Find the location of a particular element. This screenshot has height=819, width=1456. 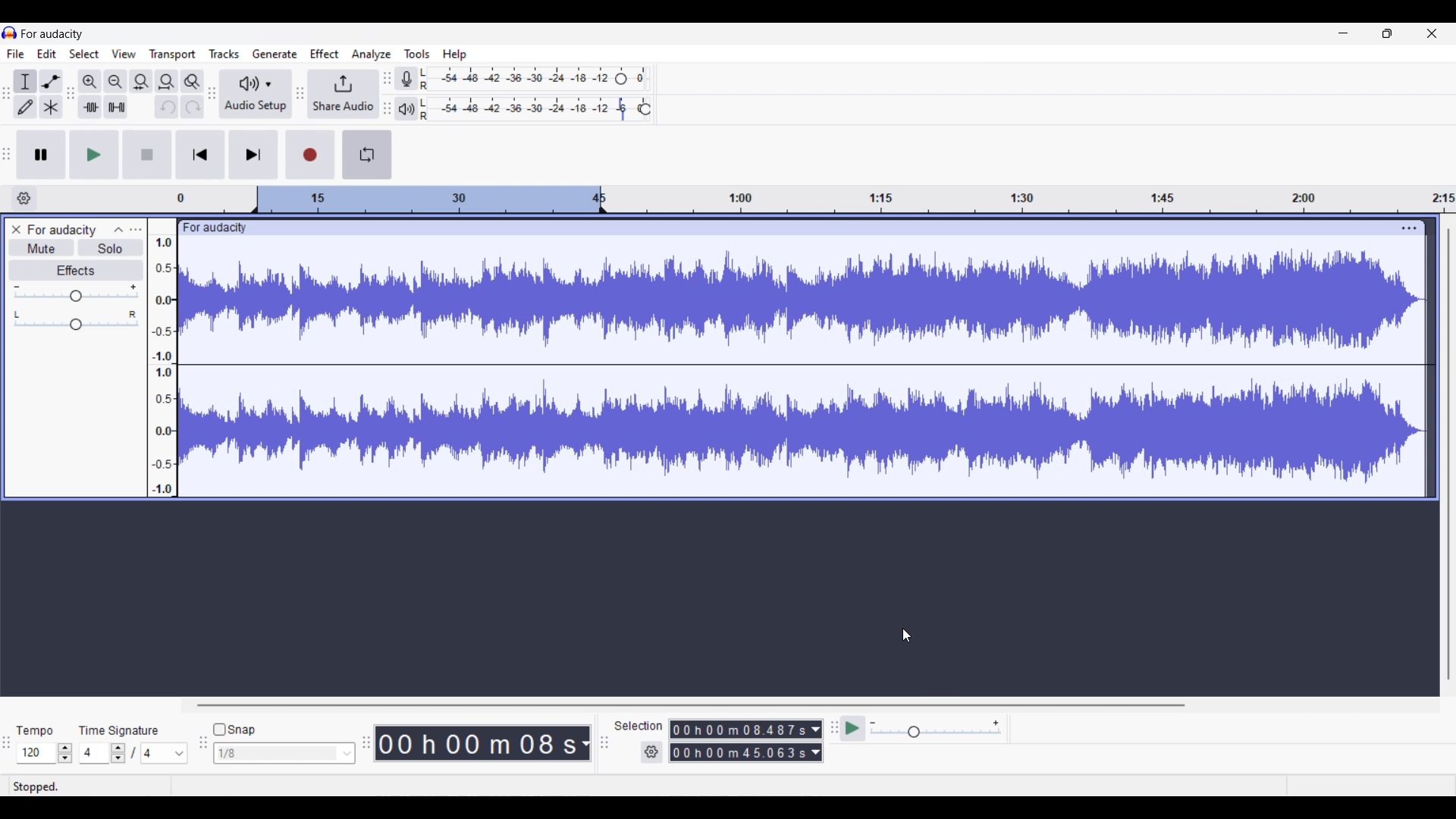

Software logo is located at coordinates (10, 33).